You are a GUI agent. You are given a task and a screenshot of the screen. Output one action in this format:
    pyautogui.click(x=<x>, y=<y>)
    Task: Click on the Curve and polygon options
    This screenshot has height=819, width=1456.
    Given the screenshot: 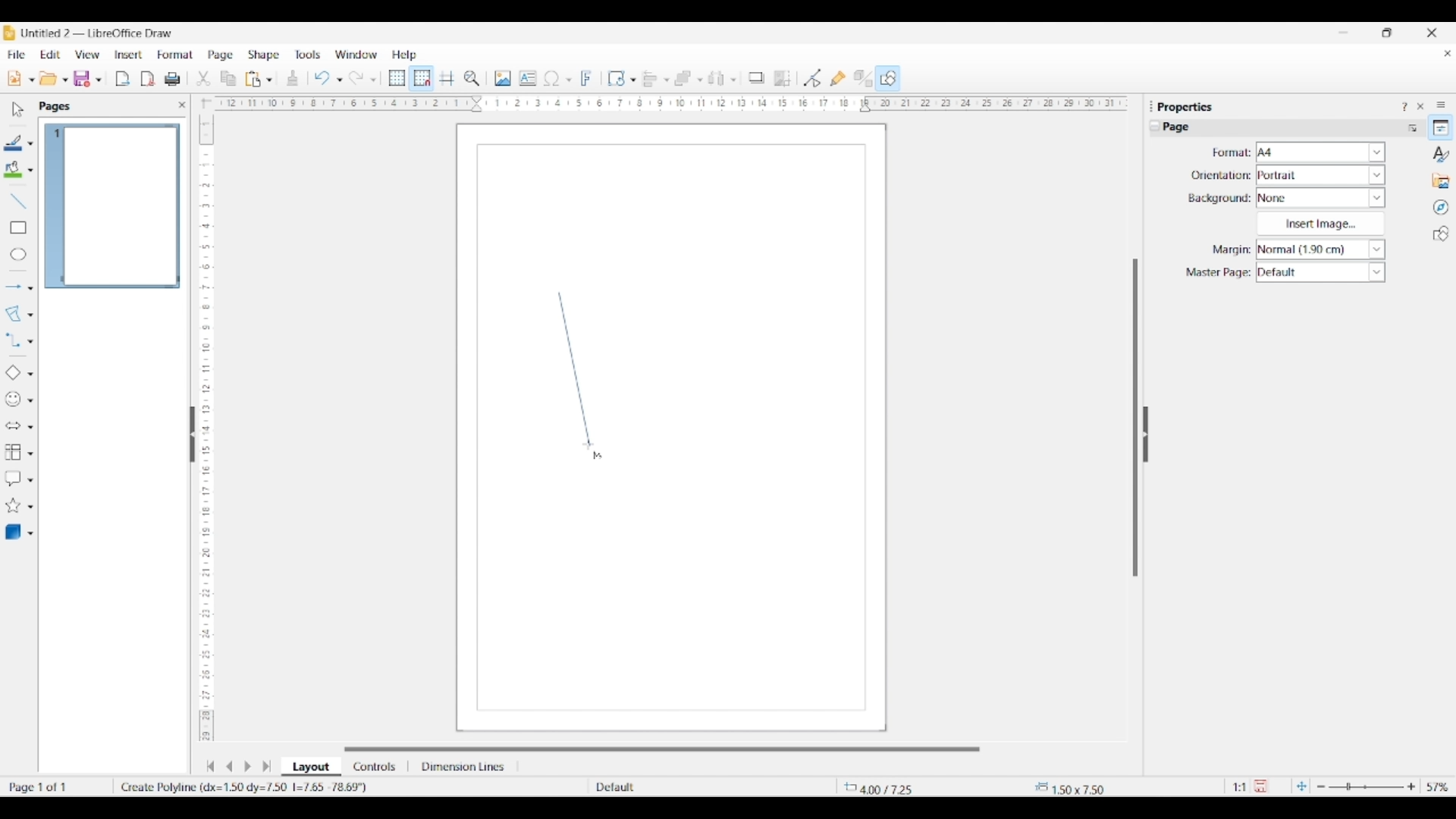 What is the action you would take?
    pyautogui.click(x=30, y=315)
    